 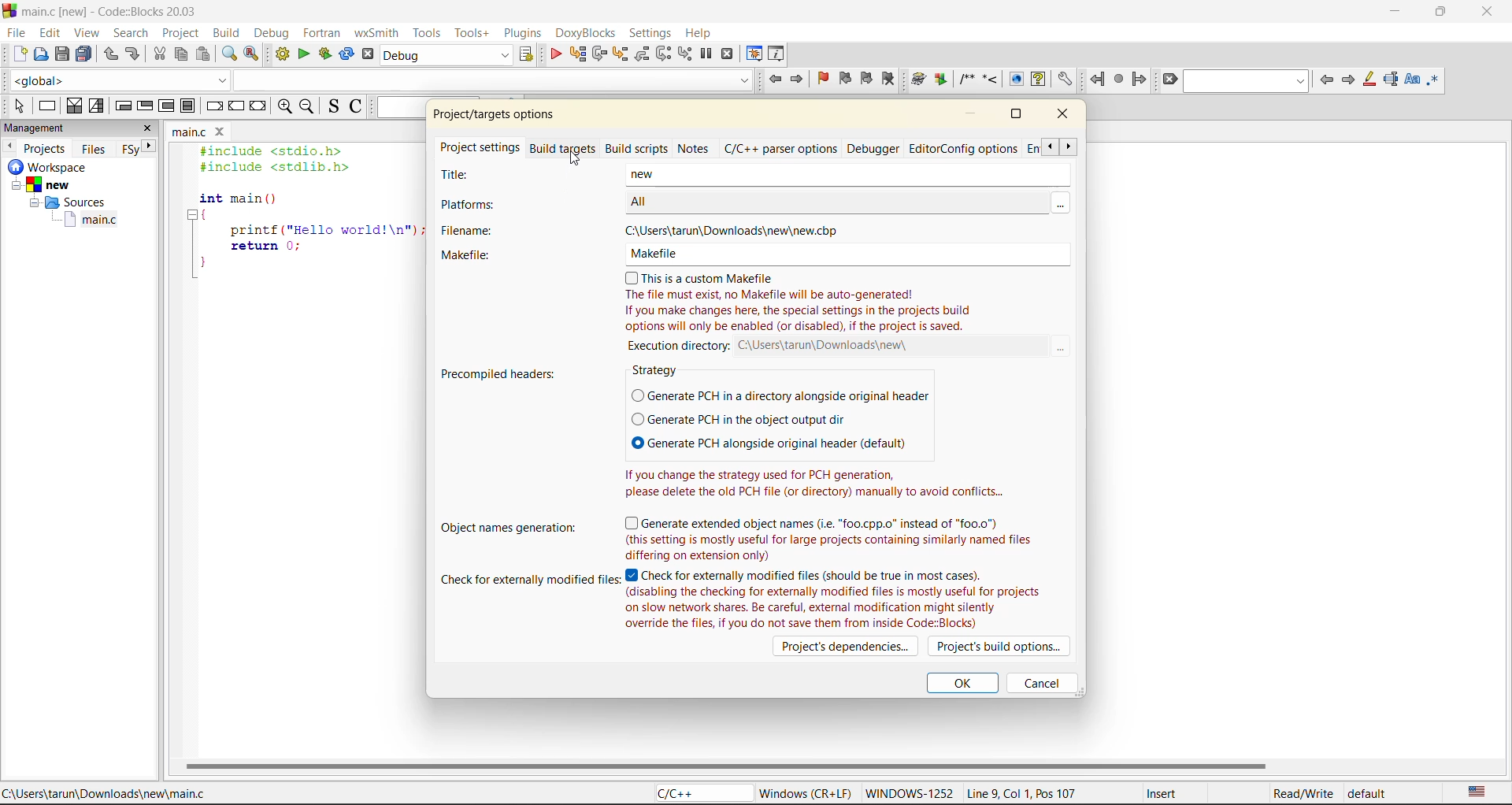 What do you see at coordinates (837, 177) in the screenshot?
I see `New` at bounding box center [837, 177].